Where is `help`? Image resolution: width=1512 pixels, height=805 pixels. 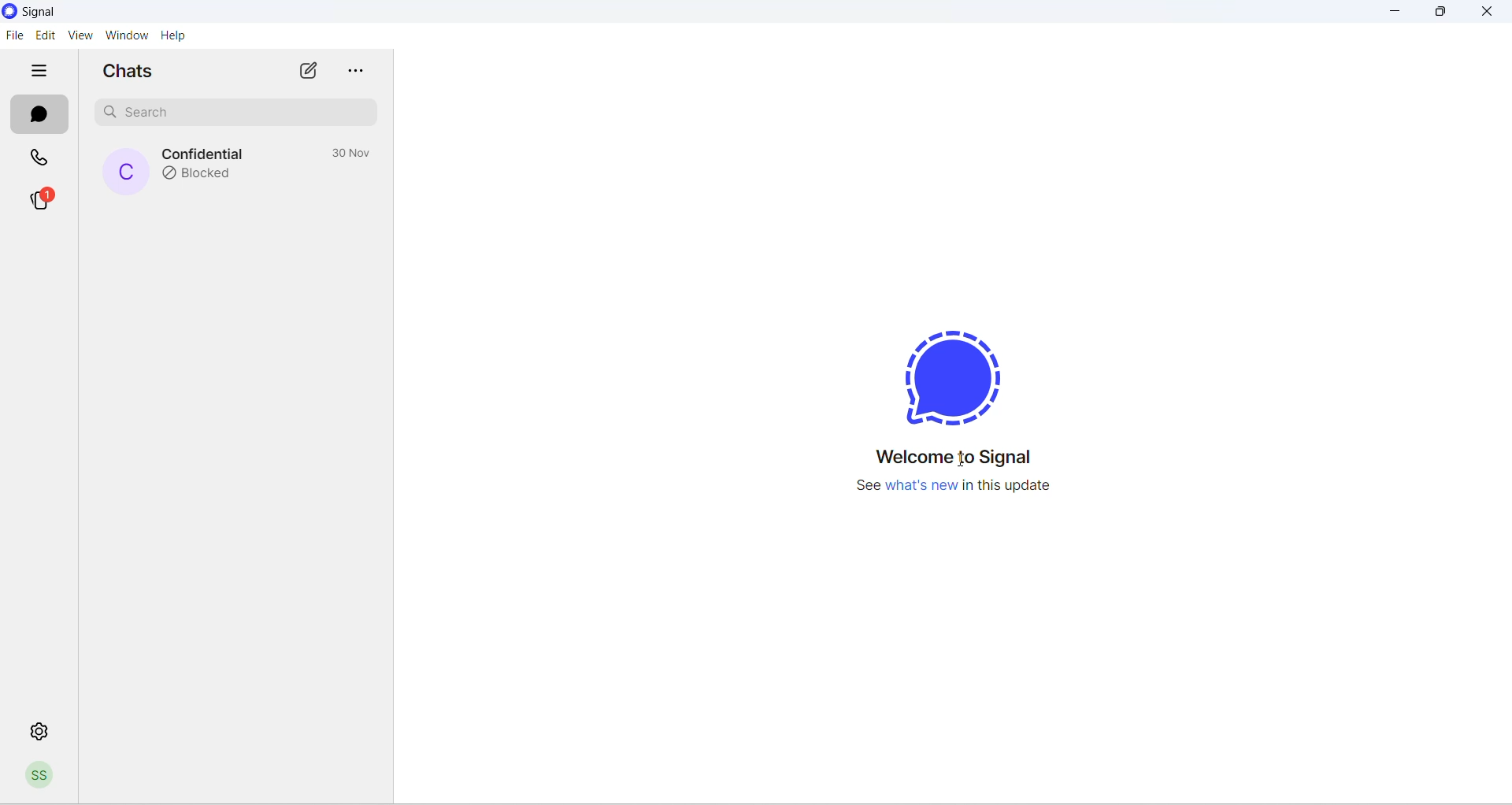 help is located at coordinates (181, 35).